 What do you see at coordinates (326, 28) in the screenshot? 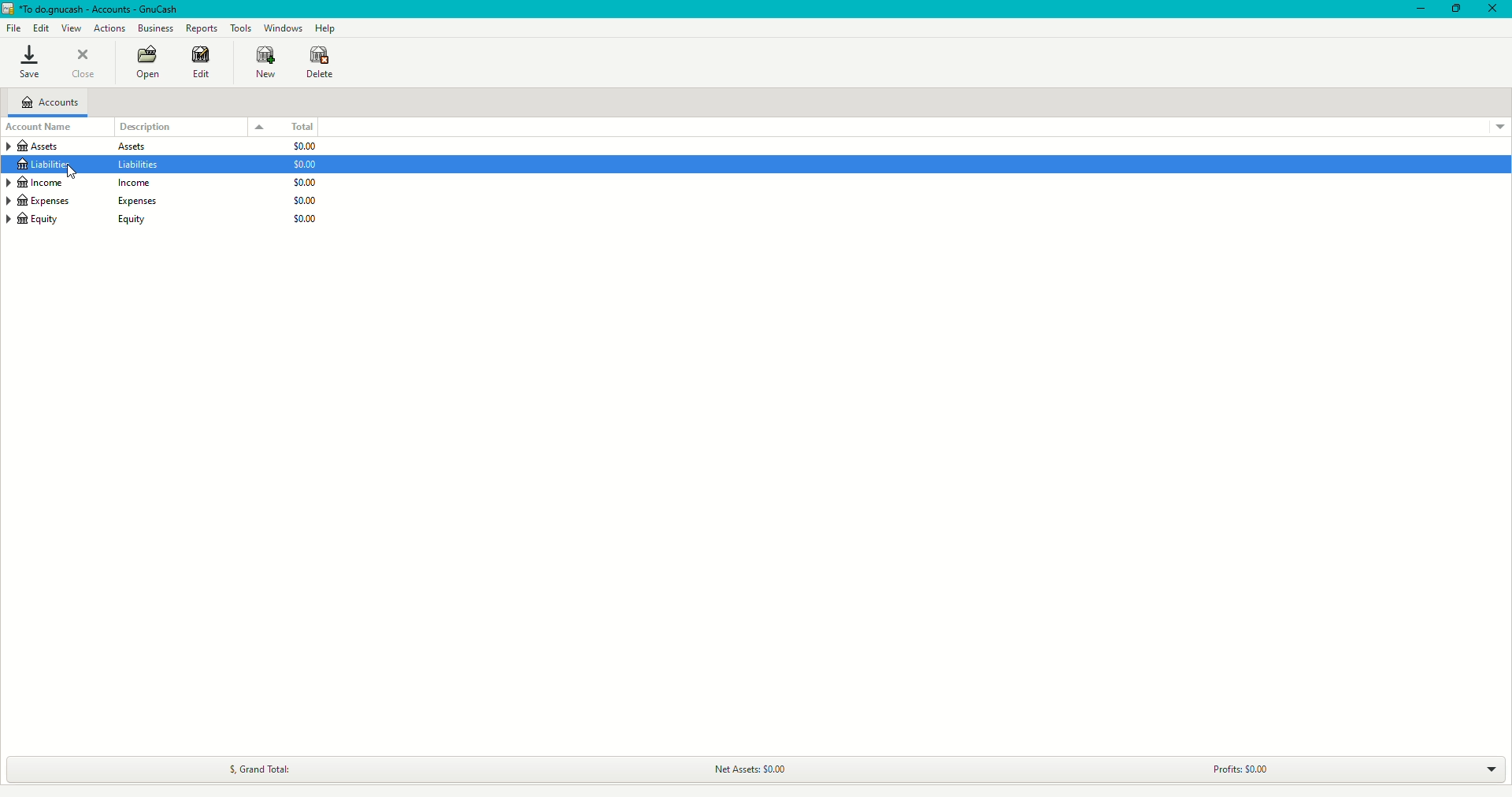
I see `Help` at bounding box center [326, 28].